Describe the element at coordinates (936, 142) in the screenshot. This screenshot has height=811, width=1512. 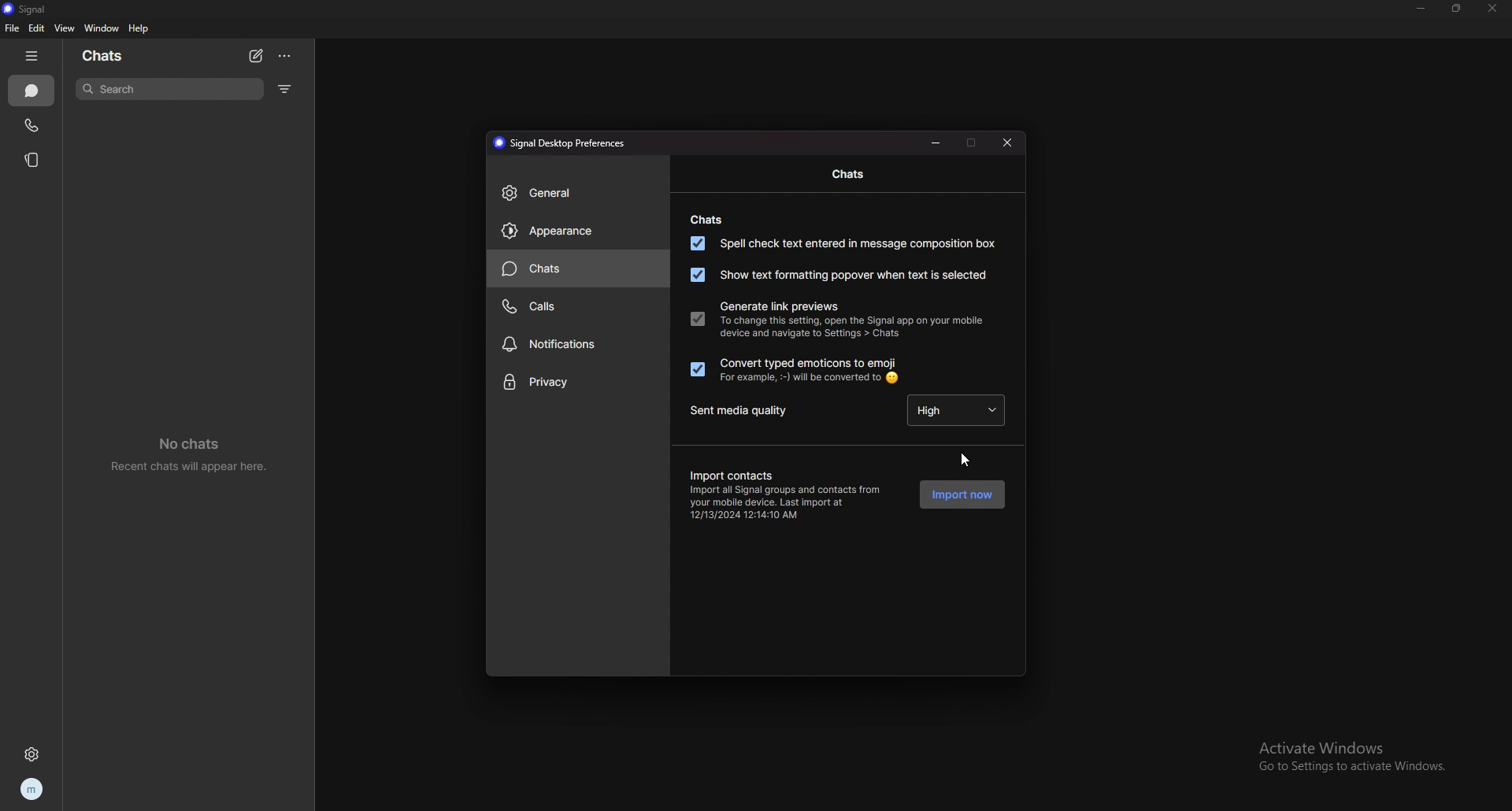
I see `minimize` at that location.